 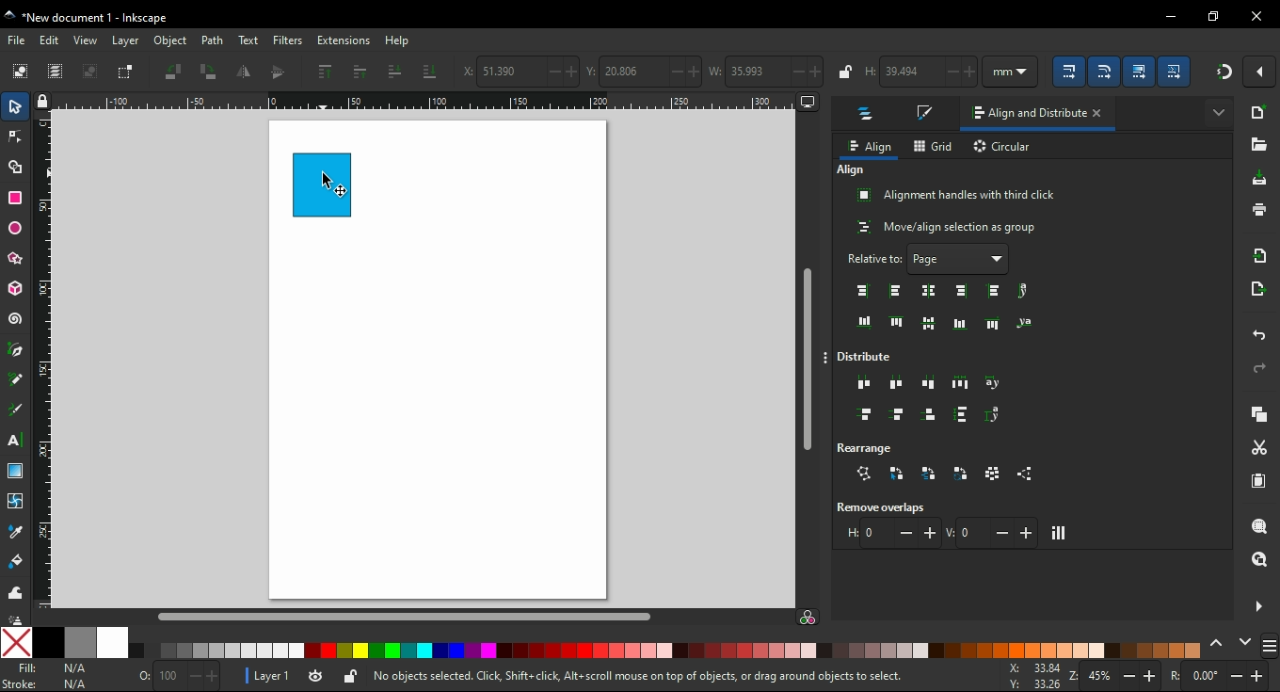 What do you see at coordinates (1261, 72) in the screenshot?
I see `snap options` at bounding box center [1261, 72].